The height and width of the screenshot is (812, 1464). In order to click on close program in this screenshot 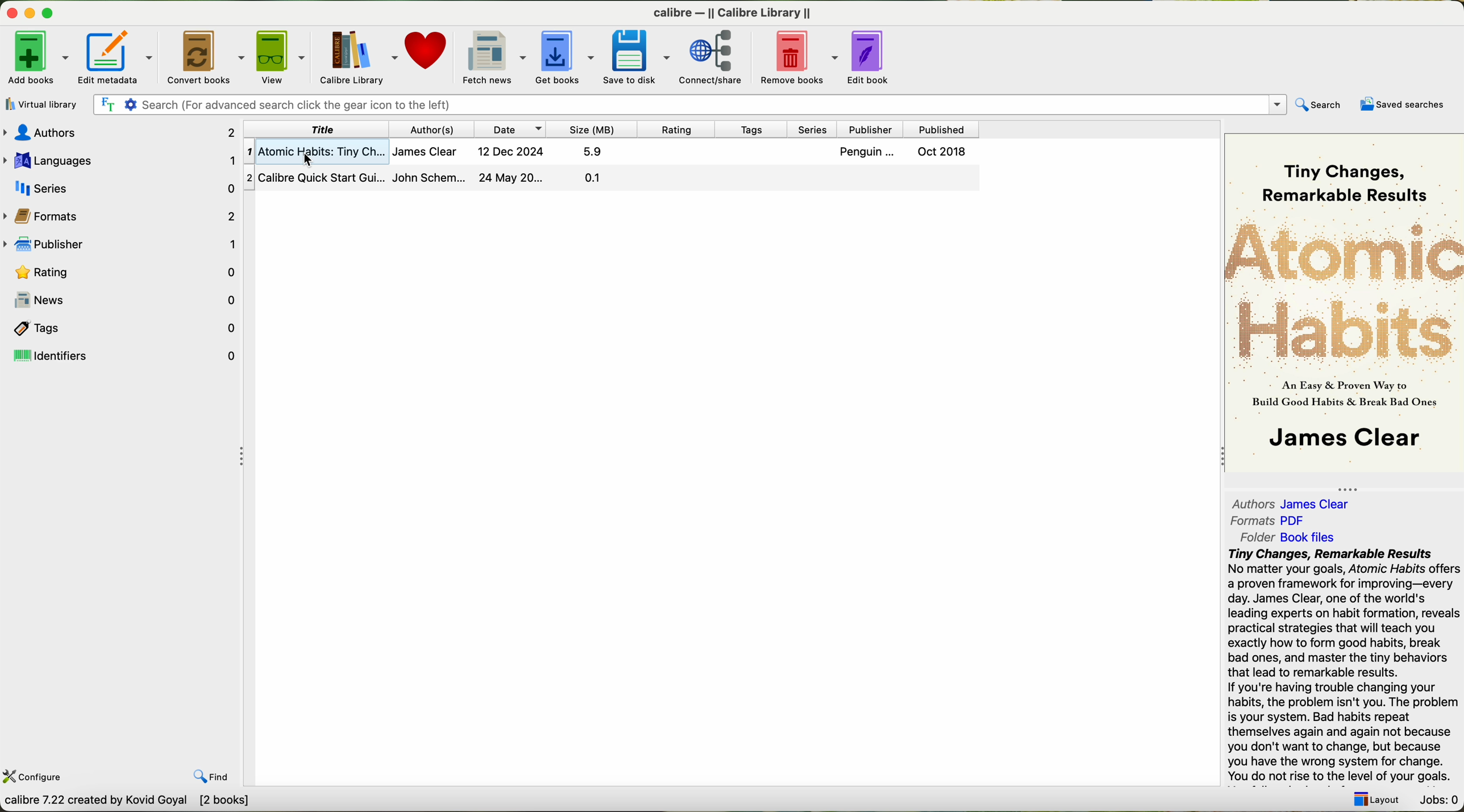, I will do `click(10, 11)`.